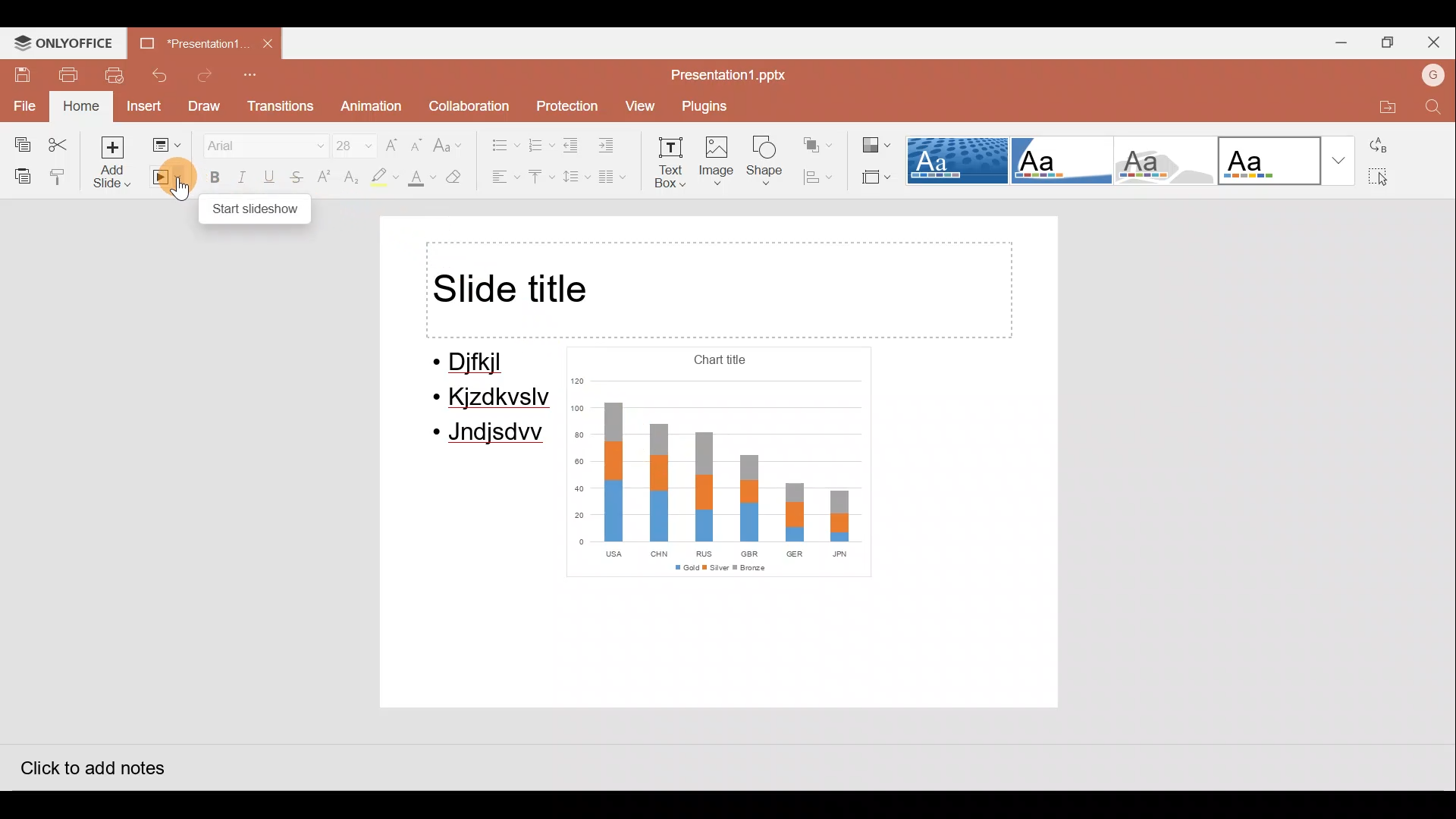 The image size is (1456, 819). I want to click on Document name, so click(727, 74).